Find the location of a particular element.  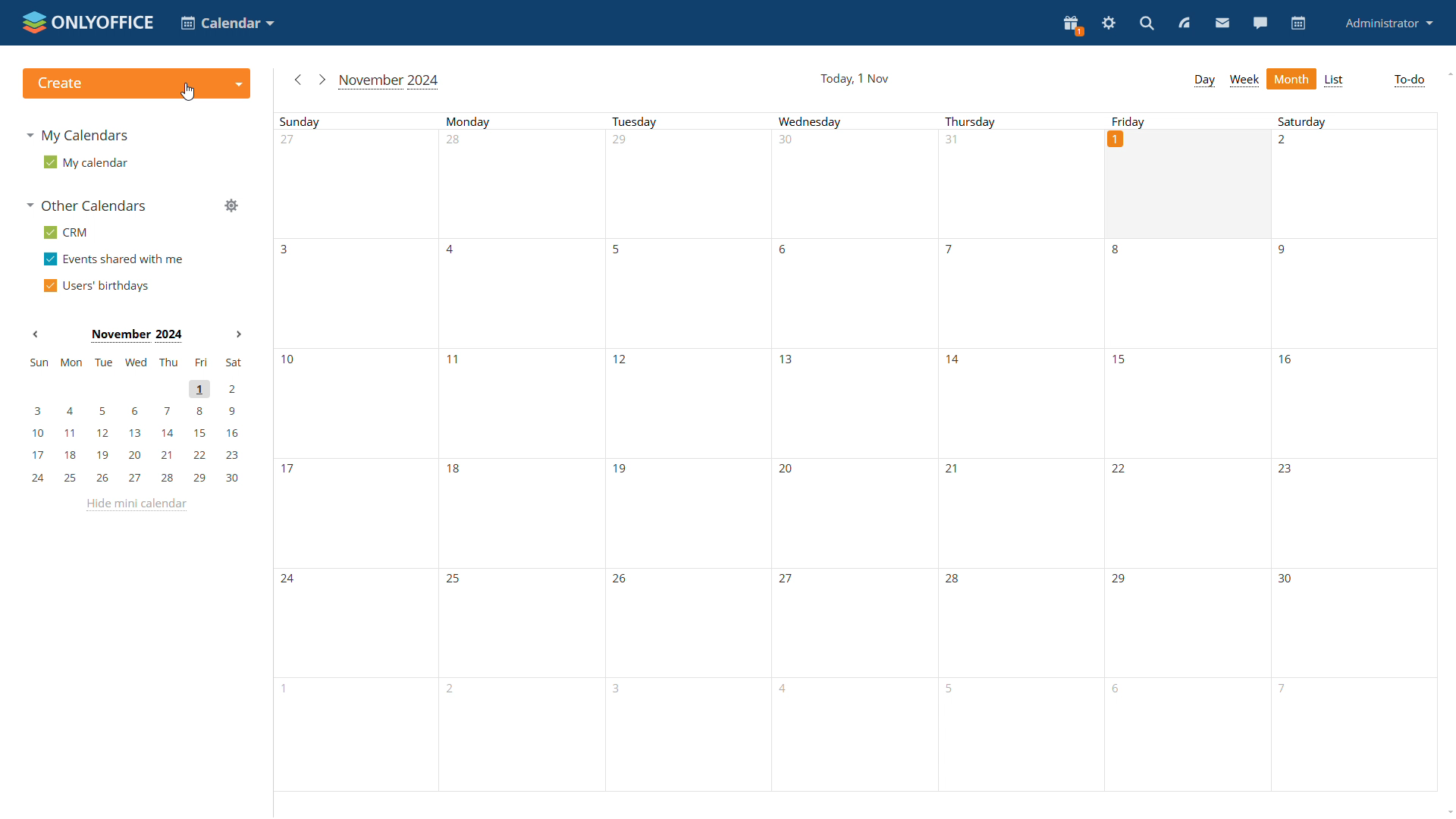

mini calendar is located at coordinates (134, 422).